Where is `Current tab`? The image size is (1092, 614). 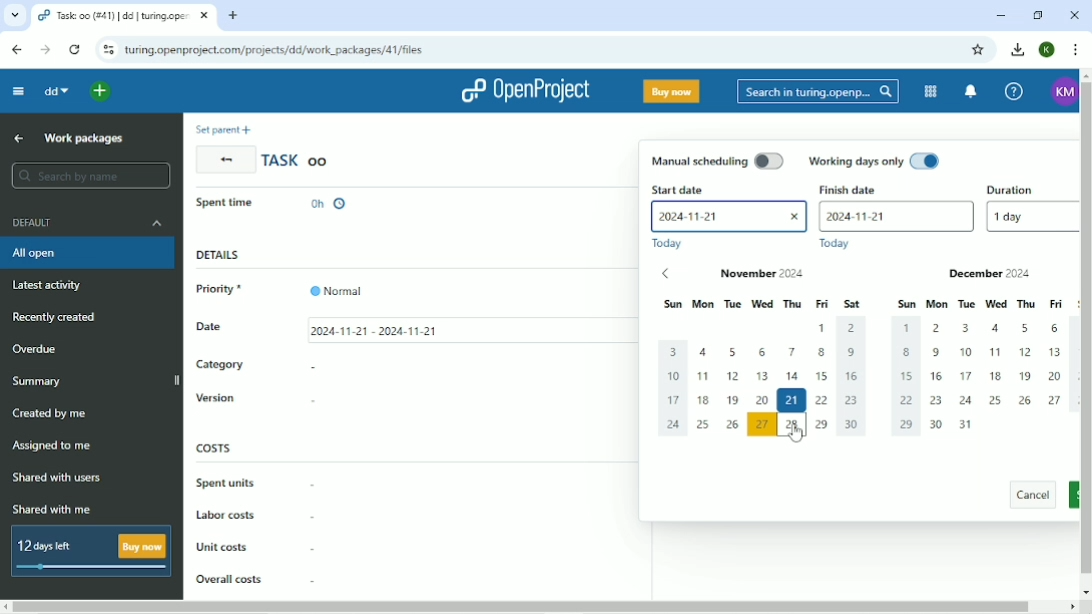
Current tab is located at coordinates (124, 15).